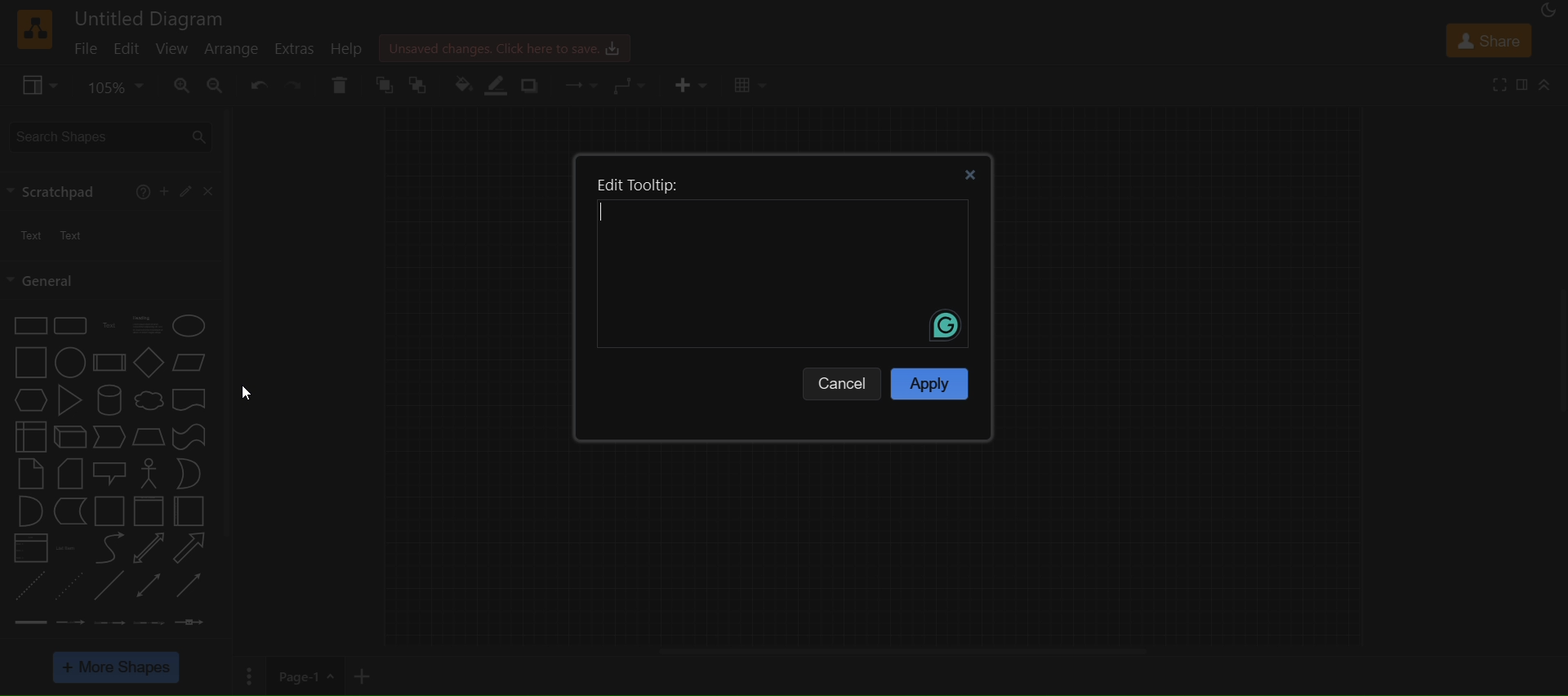  I want to click on text, so click(106, 327).